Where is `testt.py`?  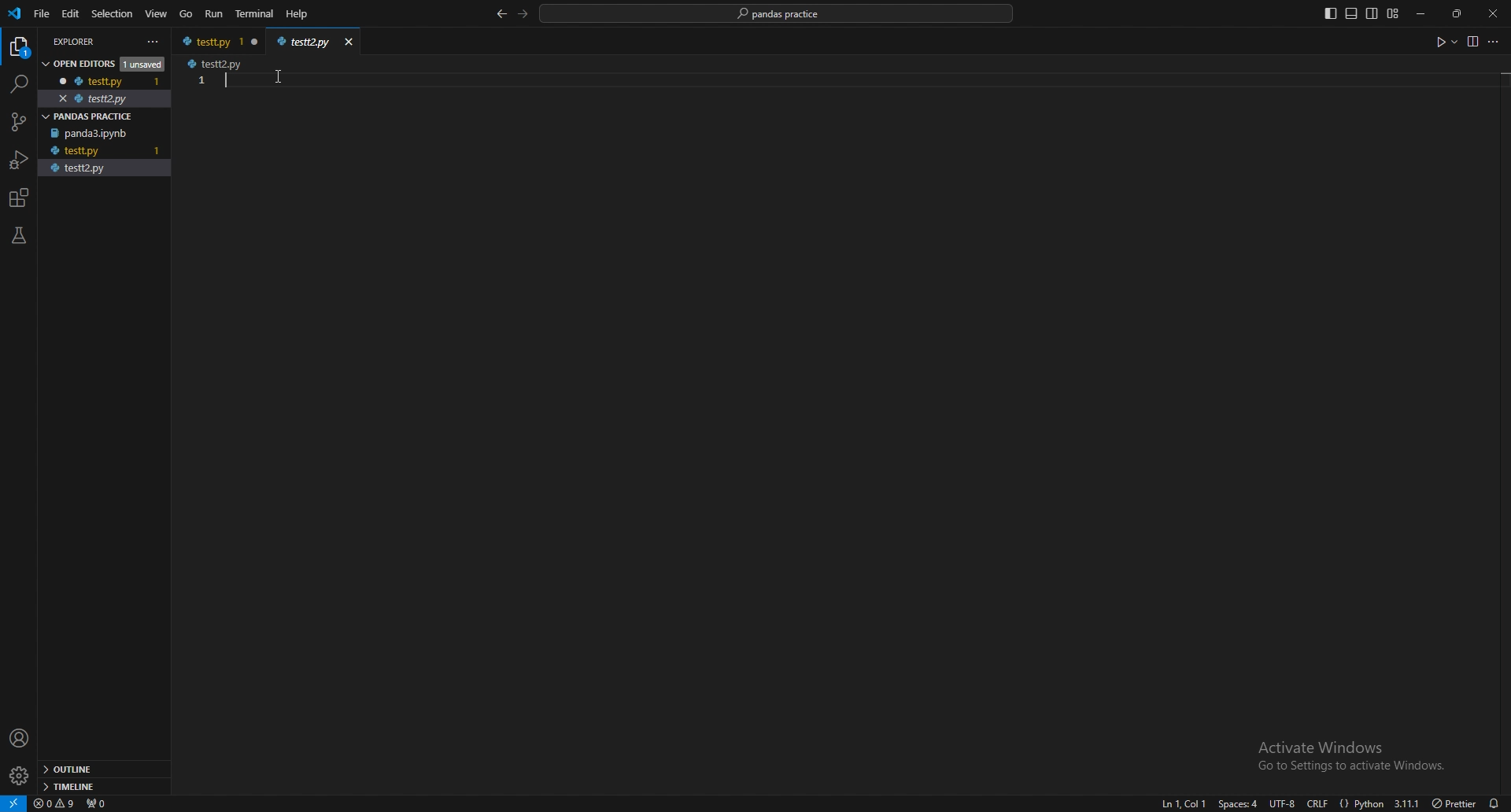 testt.py is located at coordinates (208, 41).